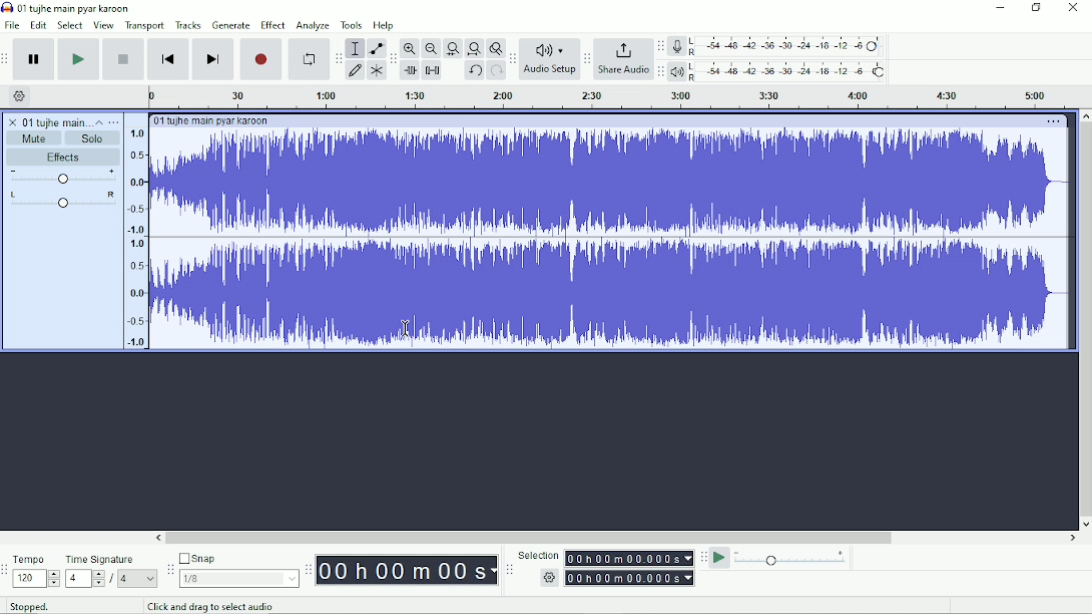  Describe the element at coordinates (375, 72) in the screenshot. I see `Multi-tool` at that location.